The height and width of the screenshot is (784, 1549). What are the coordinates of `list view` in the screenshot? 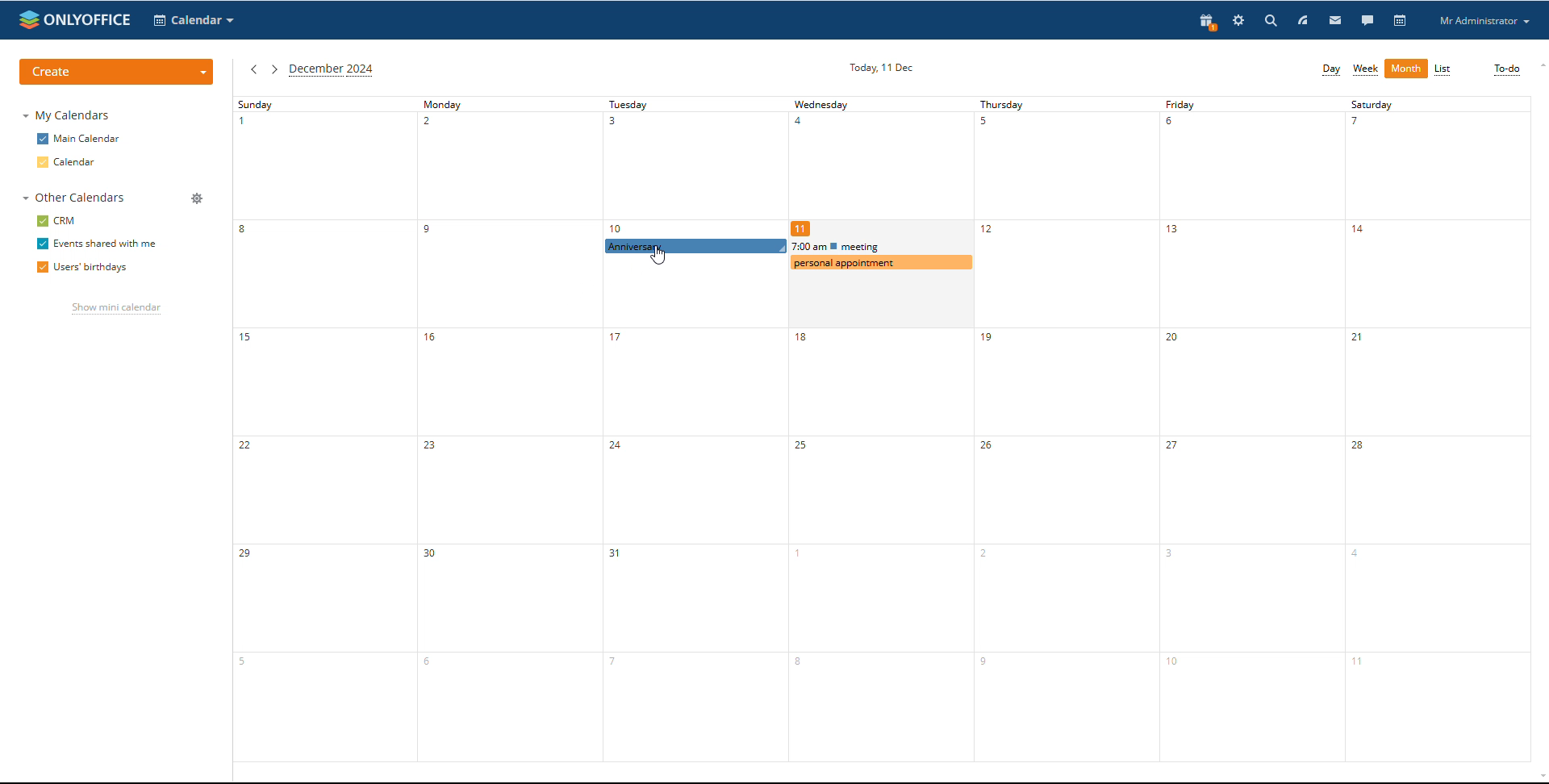 It's located at (1443, 69).